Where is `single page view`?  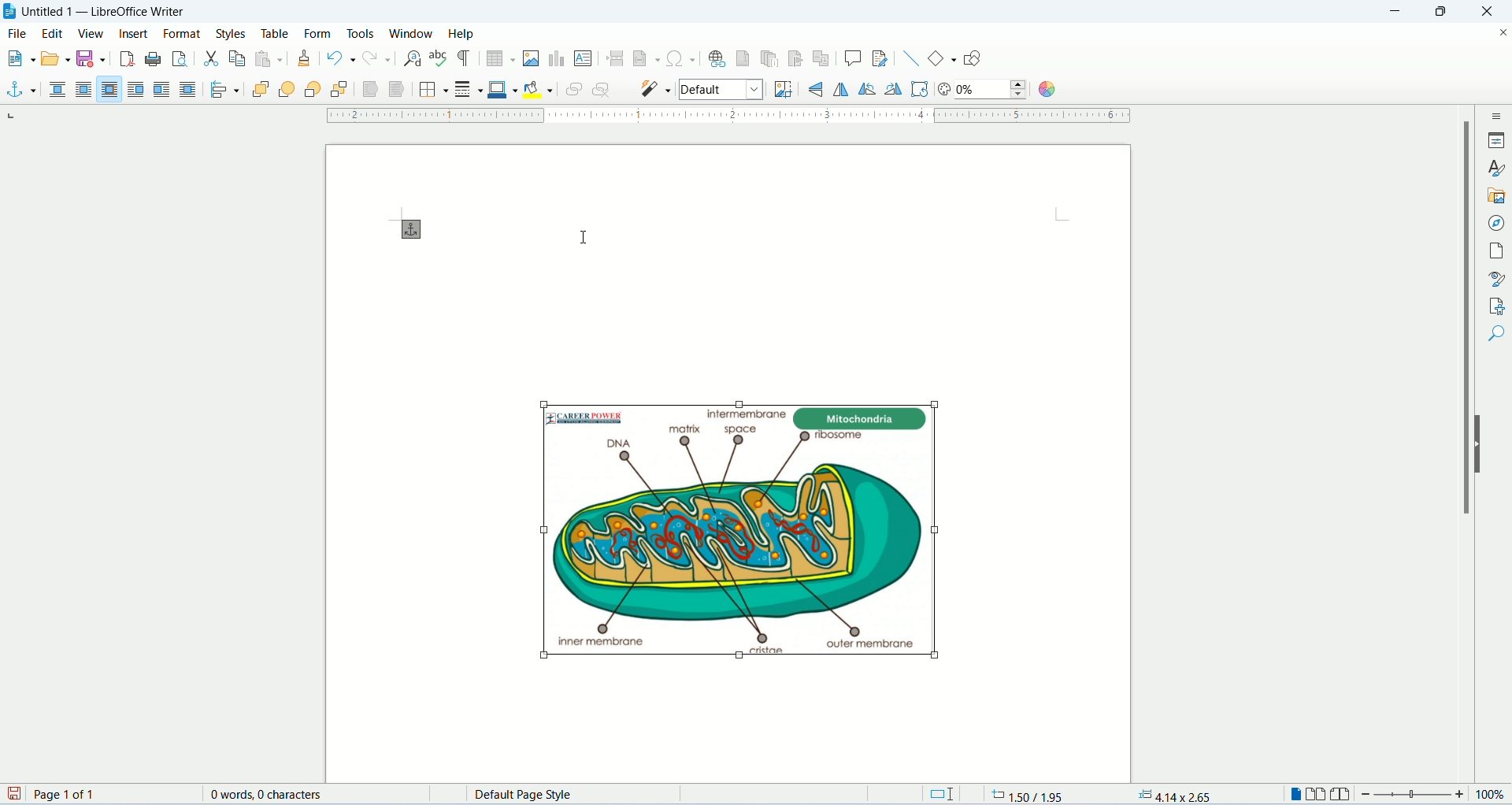 single page view is located at coordinates (1293, 796).